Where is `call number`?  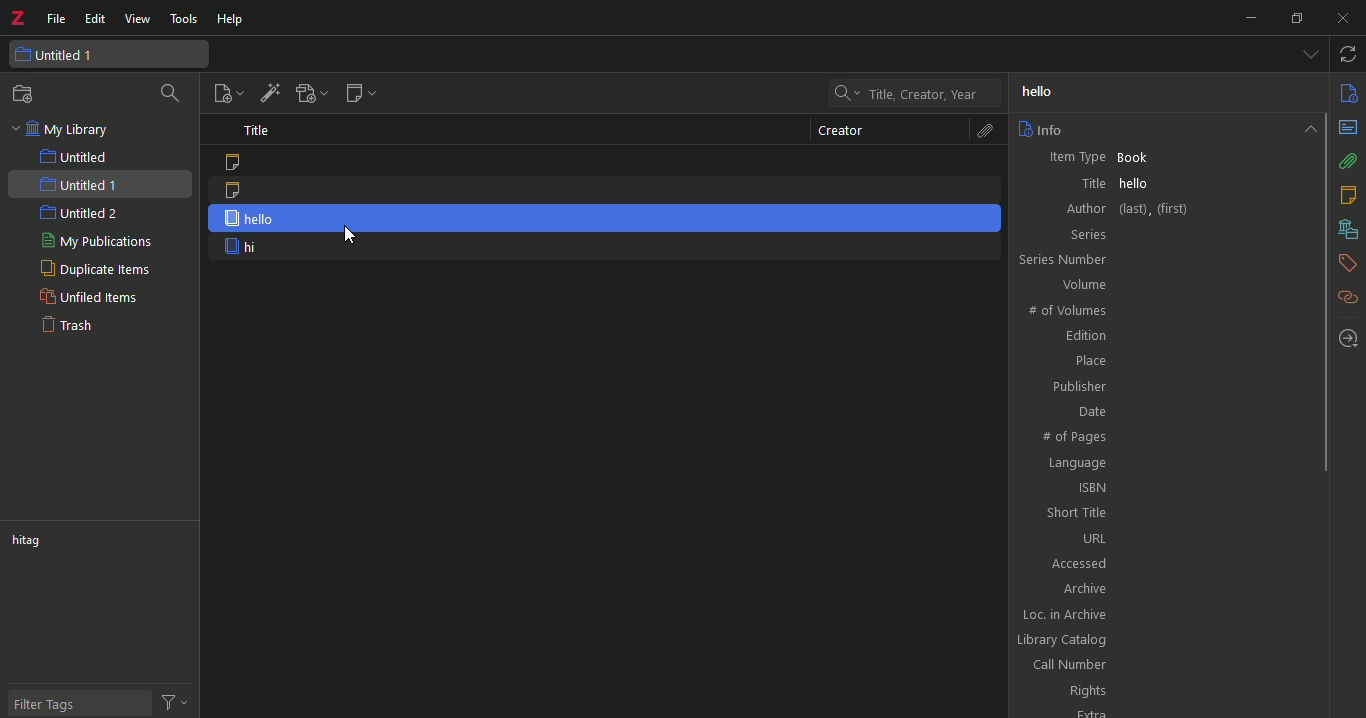 call number is located at coordinates (1075, 667).